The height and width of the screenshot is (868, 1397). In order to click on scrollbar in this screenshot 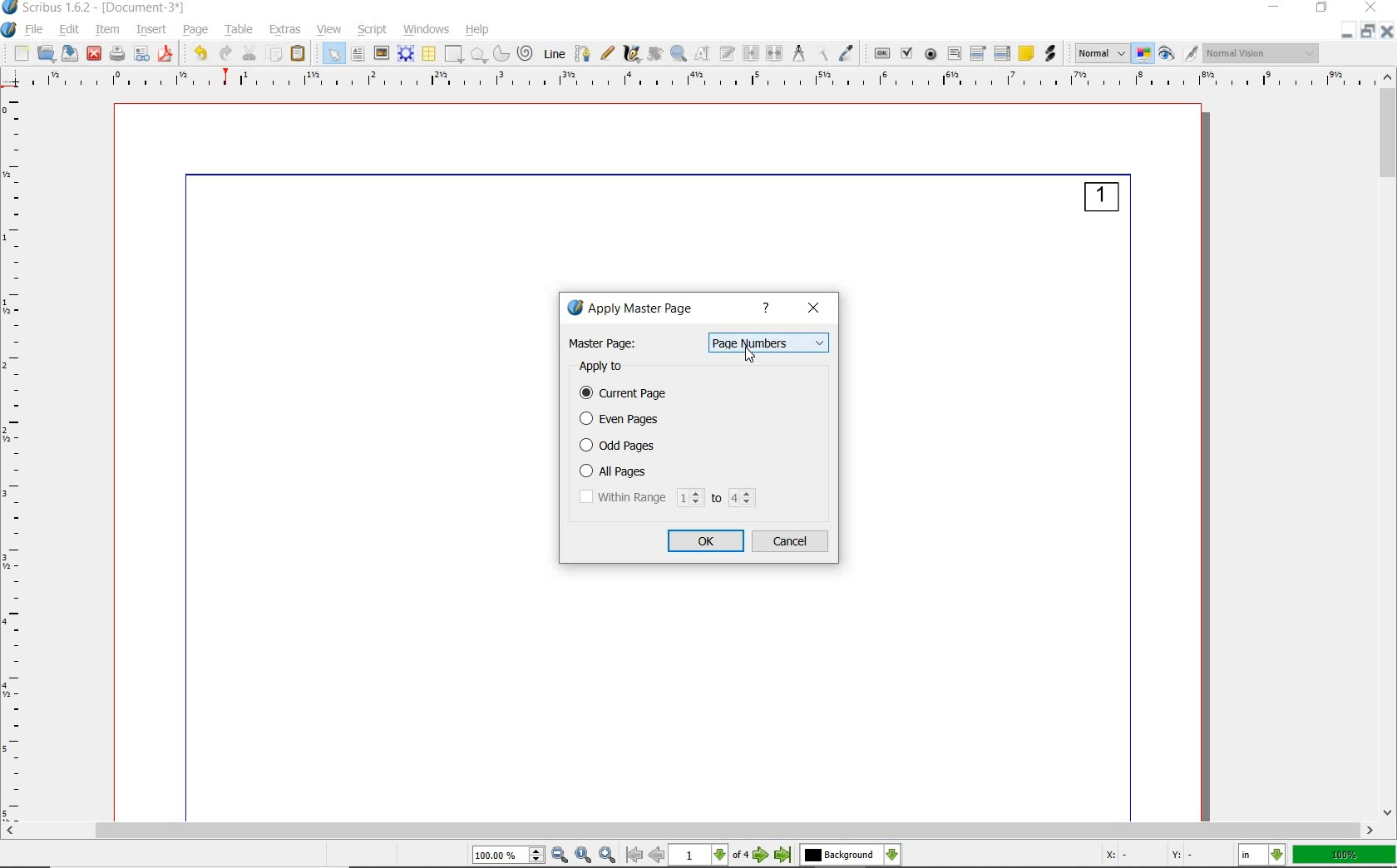, I will do `click(1388, 446)`.